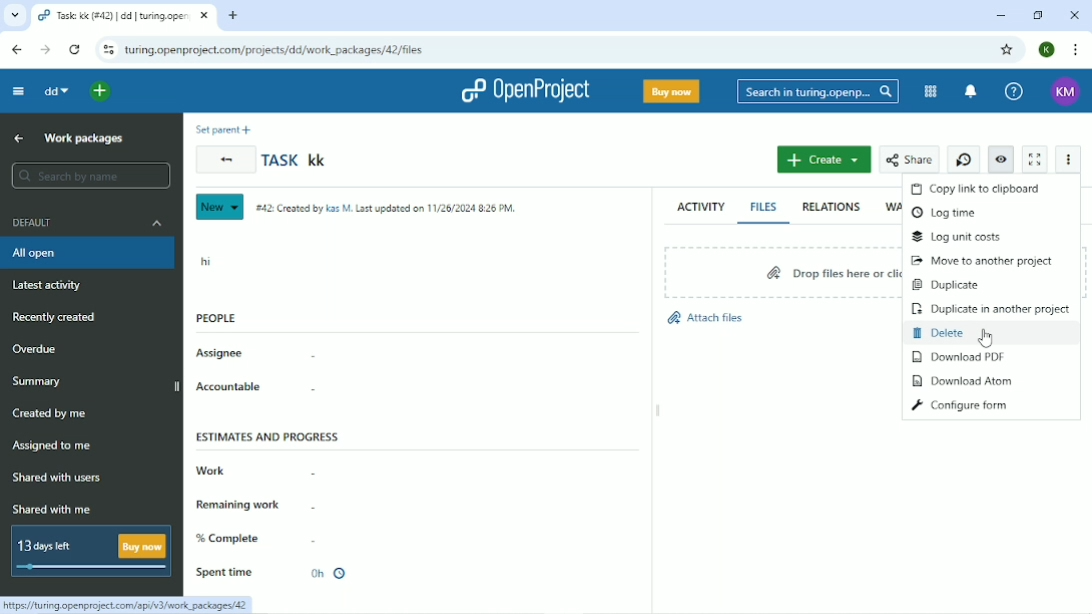 This screenshot has width=1092, height=614. I want to click on New tab, so click(234, 17).